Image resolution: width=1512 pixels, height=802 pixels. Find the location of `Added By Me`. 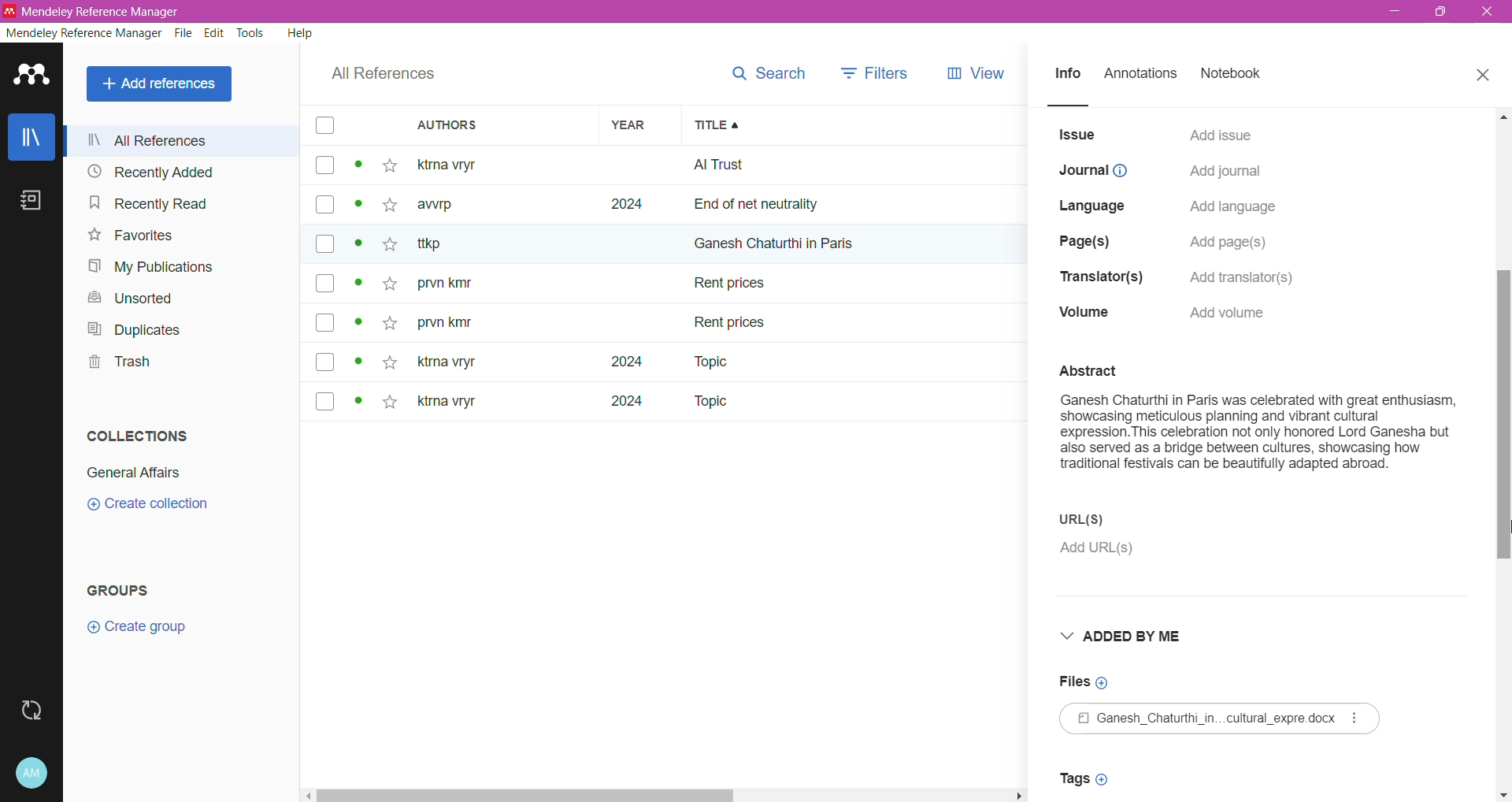

Added By Me is located at coordinates (1136, 637).